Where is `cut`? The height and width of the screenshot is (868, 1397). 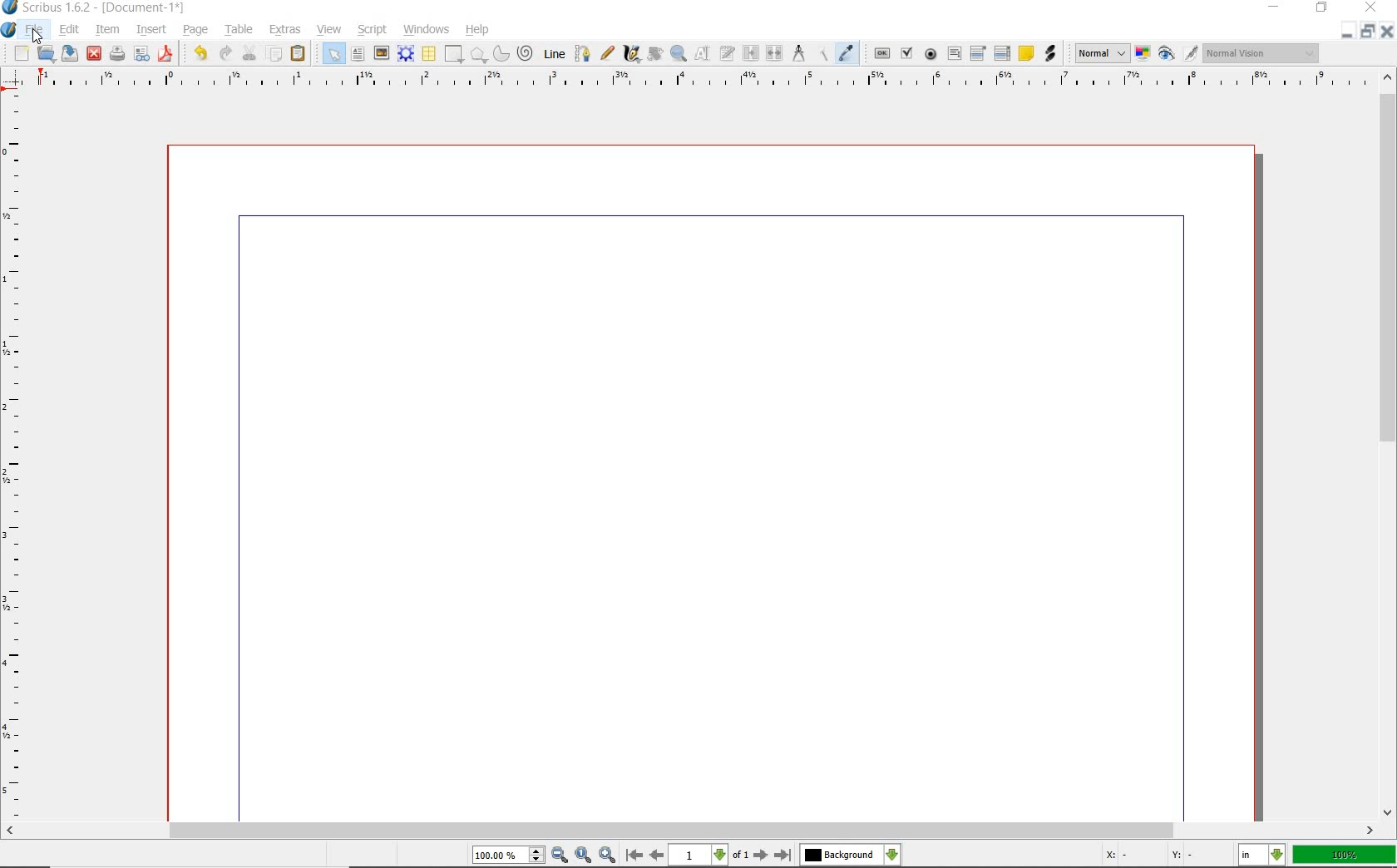
cut is located at coordinates (251, 52).